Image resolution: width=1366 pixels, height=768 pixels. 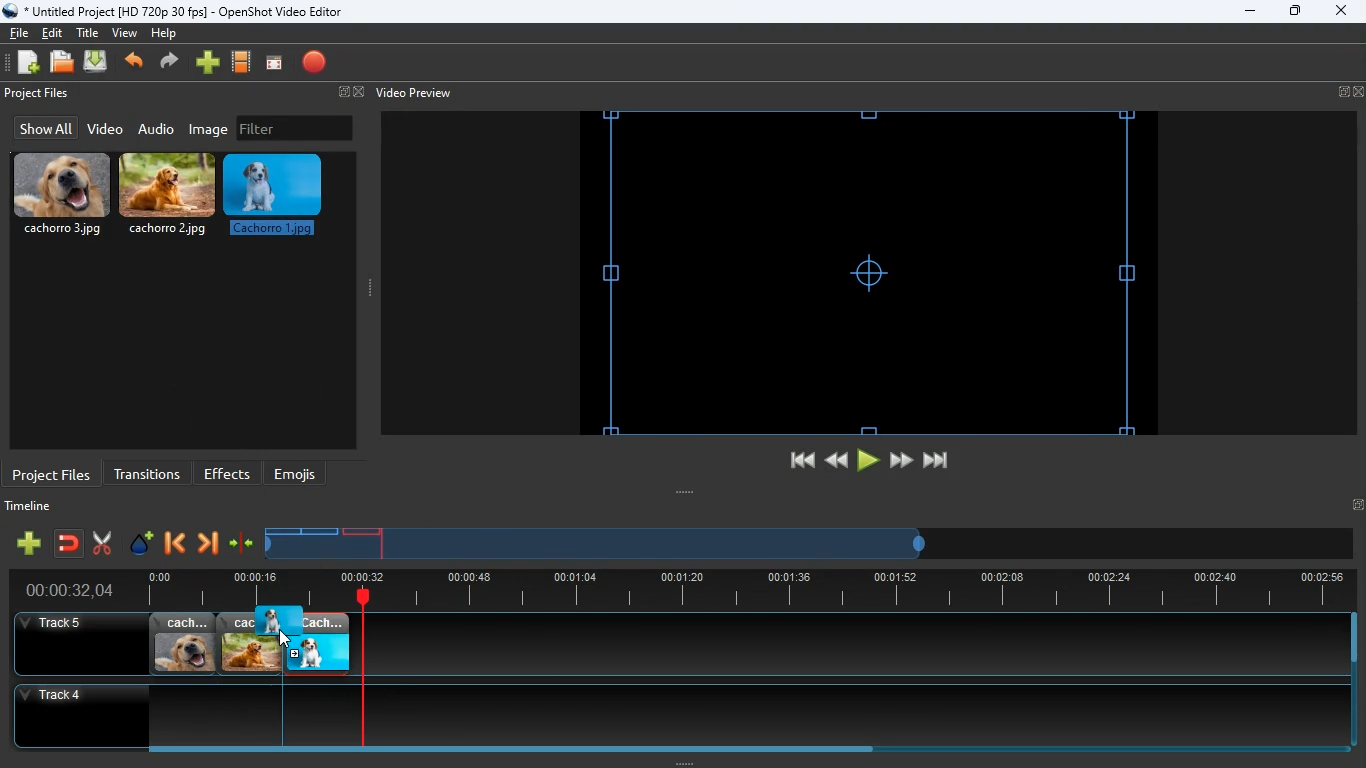 What do you see at coordinates (102, 543) in the screenshot?
I see `cut` at bounding box center [102, 543].